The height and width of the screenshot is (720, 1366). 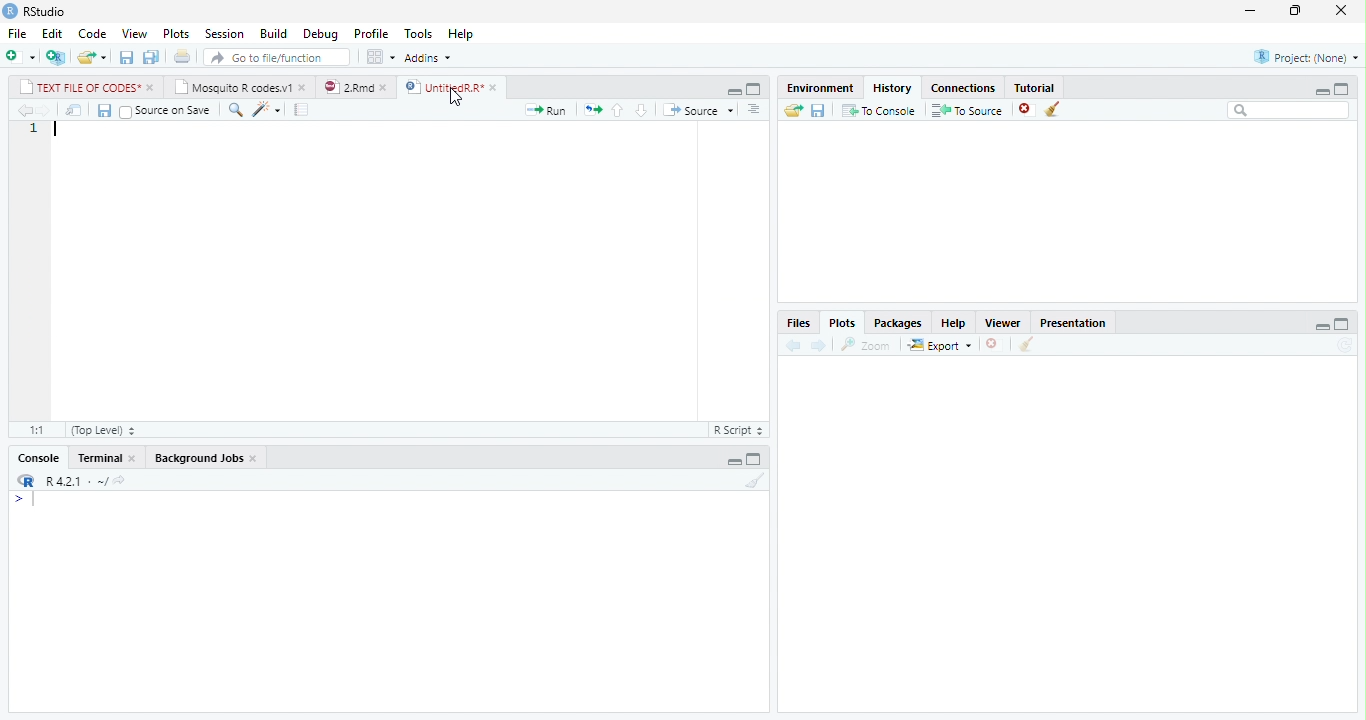 I want to click on close, so click(x=134, y=459).